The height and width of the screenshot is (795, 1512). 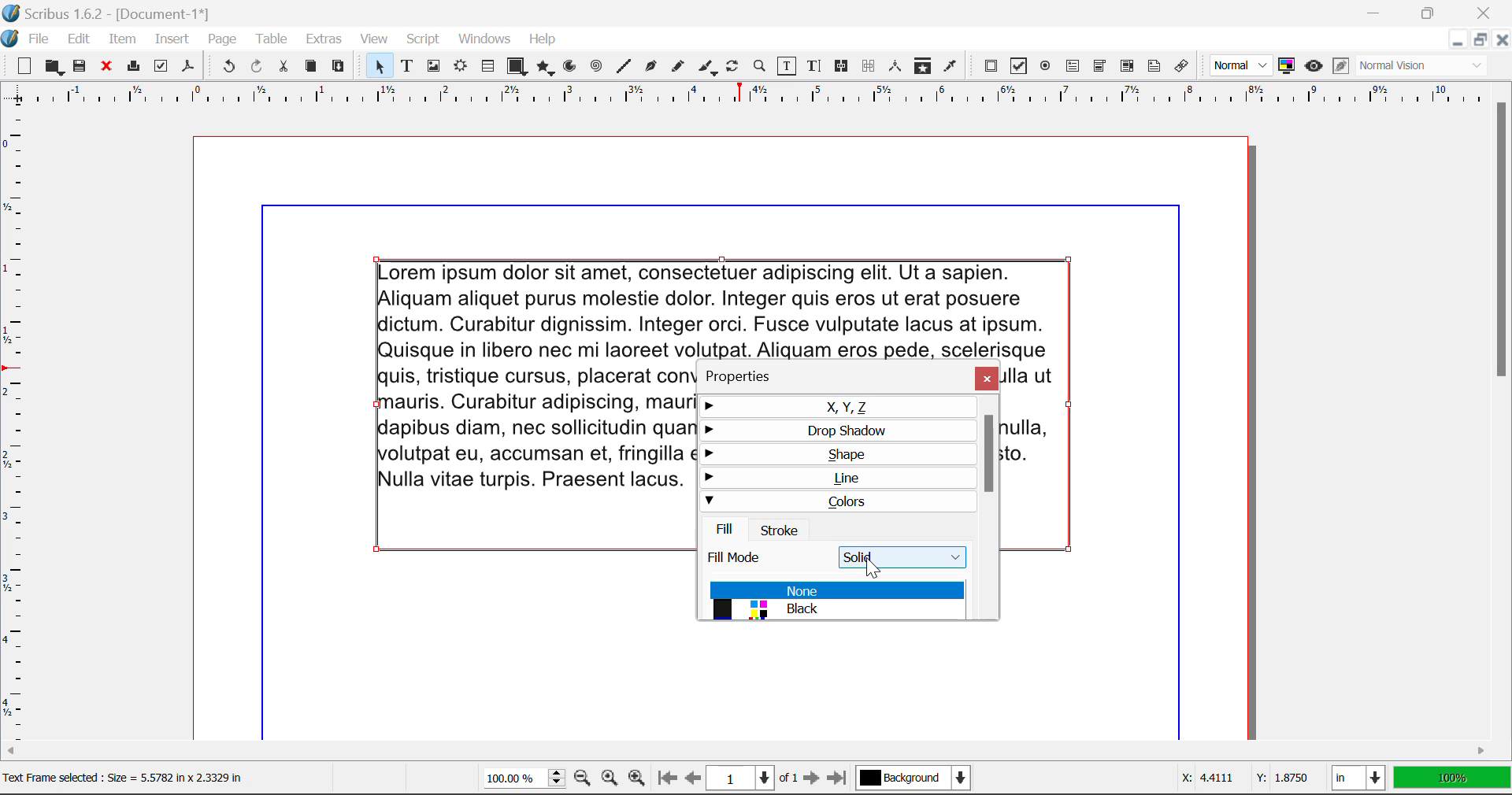 What do you see at coordinates (374, 39) in the screenshot?
I see `View` at bounding box center [374, 39].